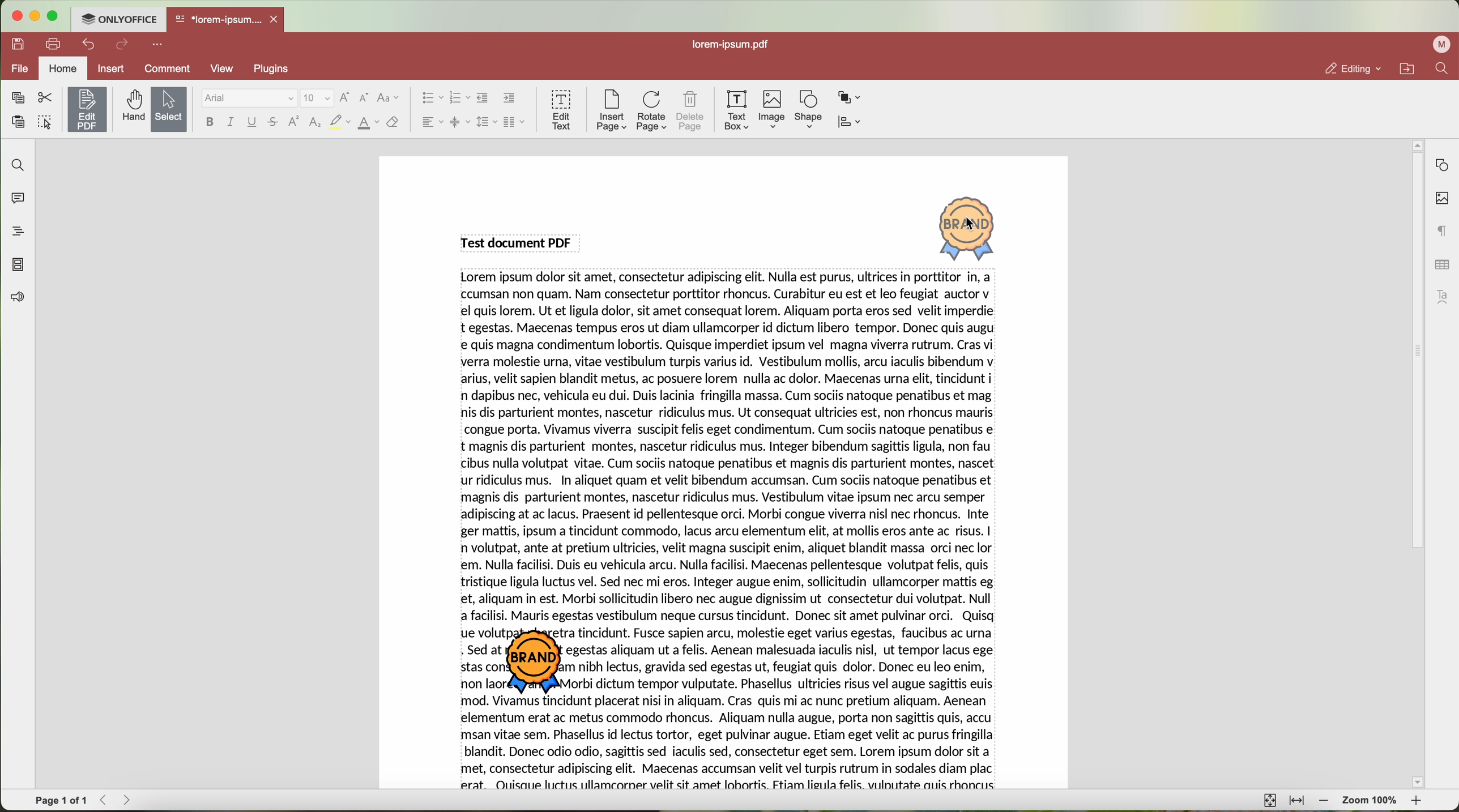  I want to click on maximize, so click(54, 16).